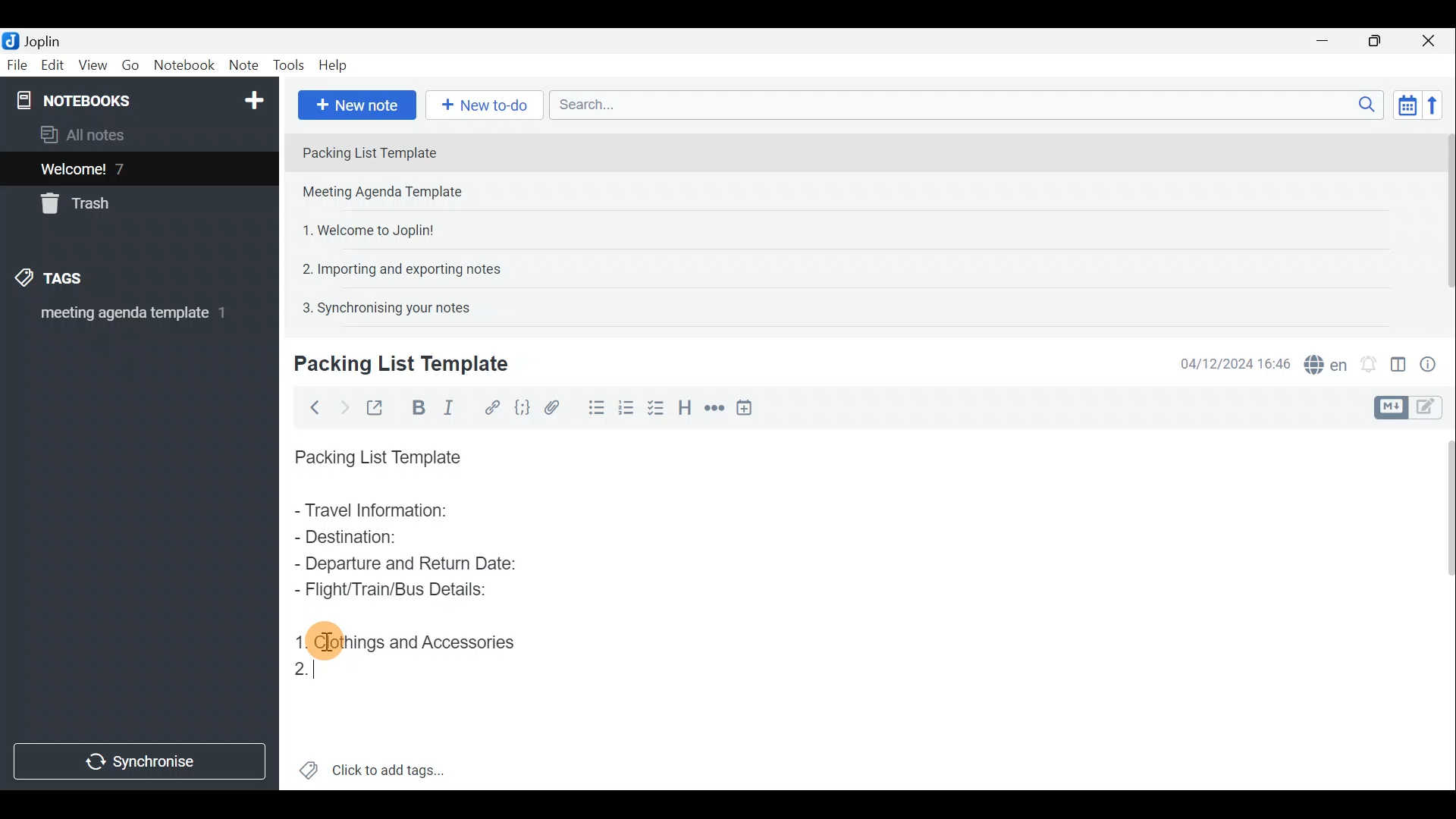 Image resolution: width=1456 pixels, height=819 pixels. Describe the element at coordinates (1368, 360) in the screenshot. I see `Set alarm` at that location.